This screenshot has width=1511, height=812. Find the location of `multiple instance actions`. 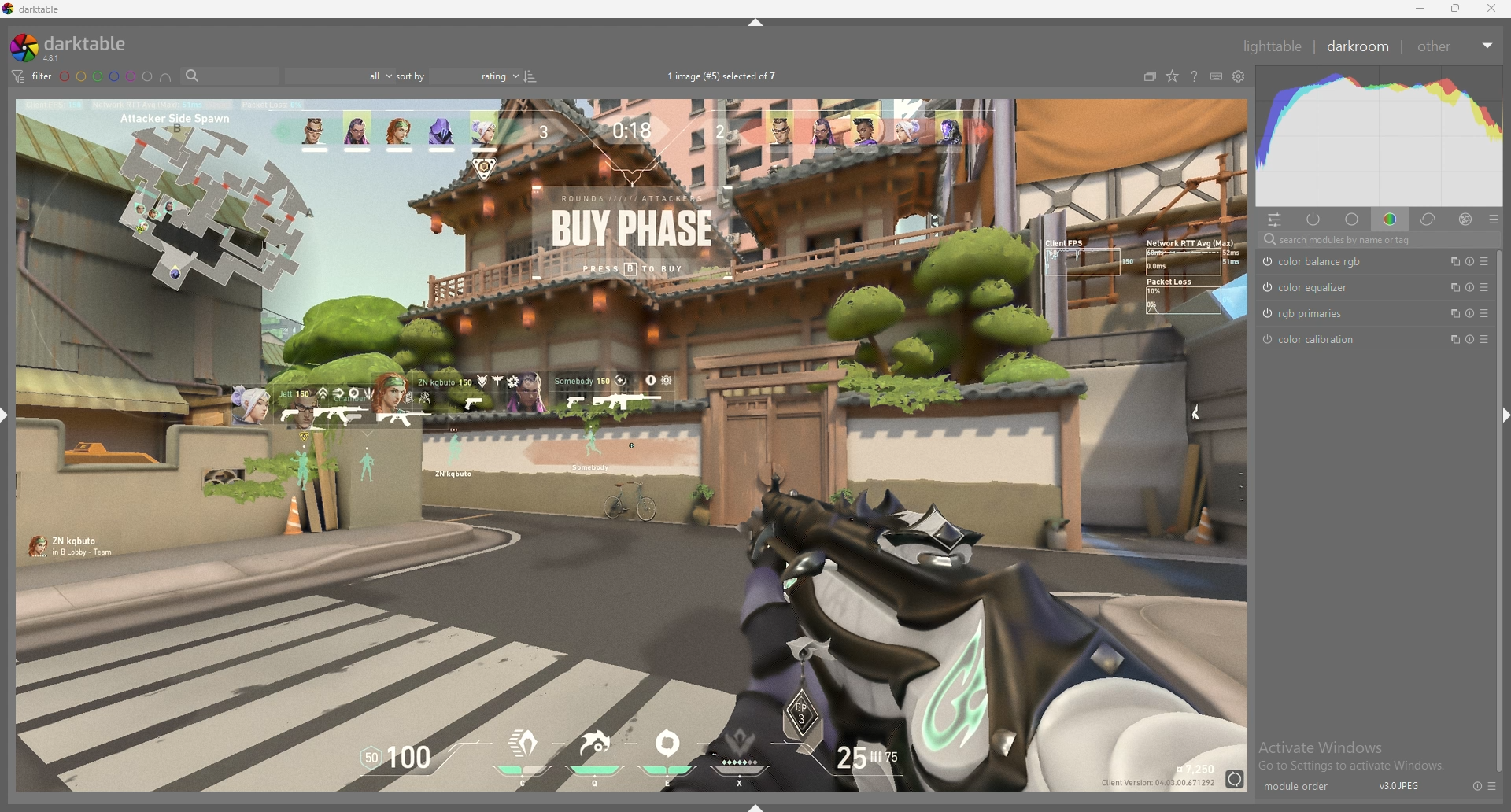

multiple instance actions is located at coordinates (1450, 339).